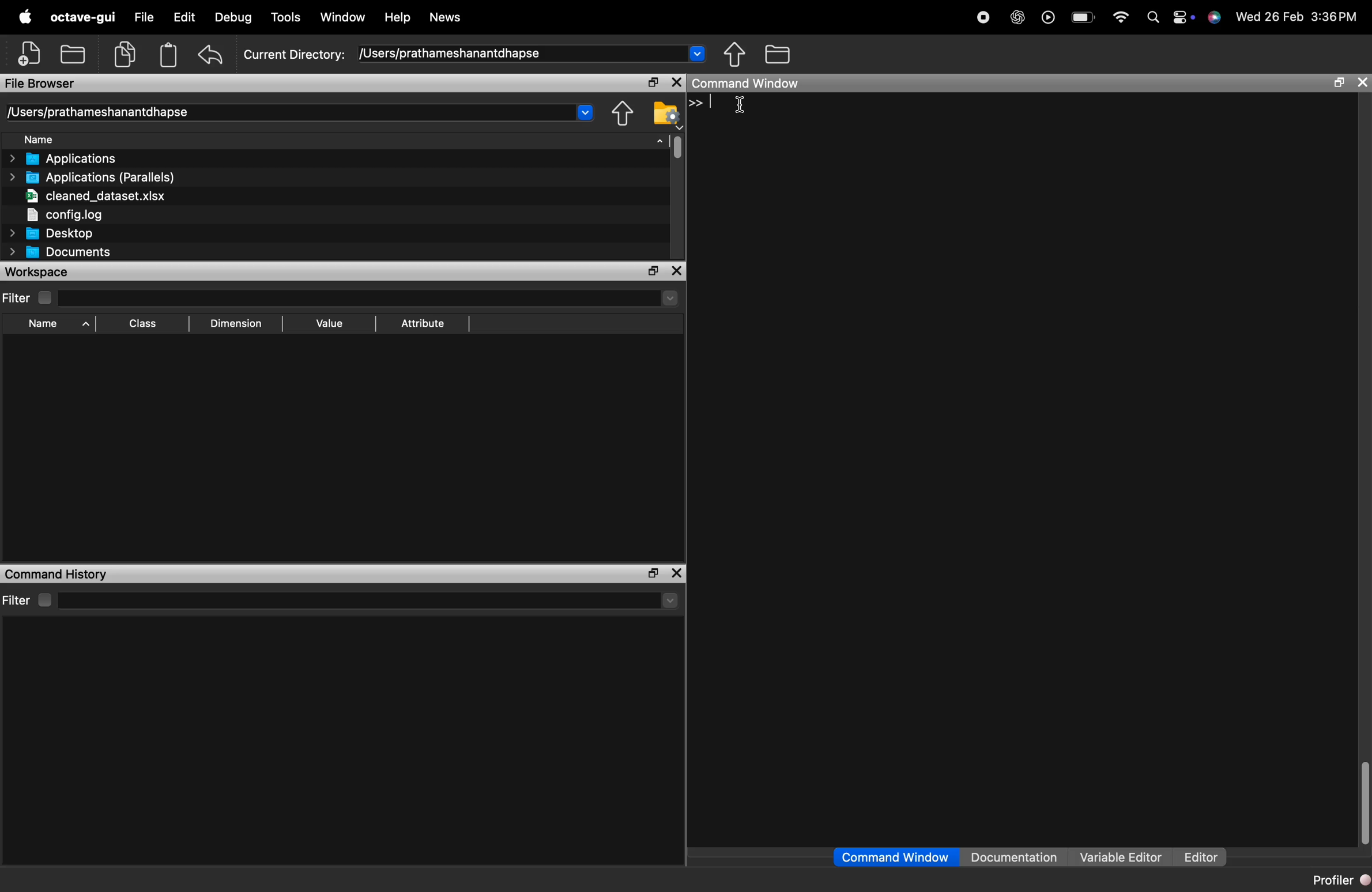  I want to click on Profiler, so click(1340, 880).